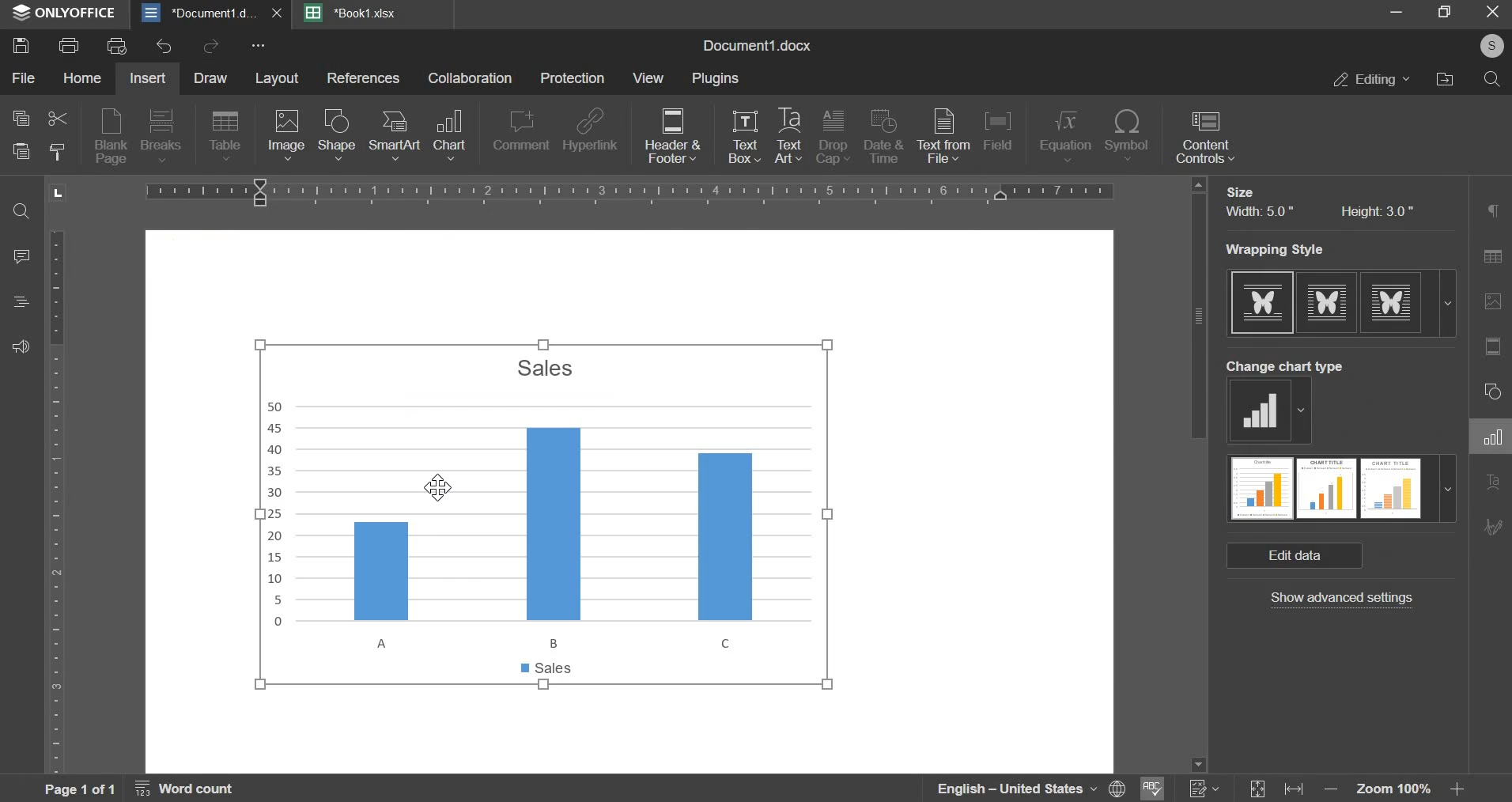 The width and height of the screenshot is (1512, 802). Describe the element at coordinates (1286, 366) in the screenshot. I see `Change chart types` at that location.